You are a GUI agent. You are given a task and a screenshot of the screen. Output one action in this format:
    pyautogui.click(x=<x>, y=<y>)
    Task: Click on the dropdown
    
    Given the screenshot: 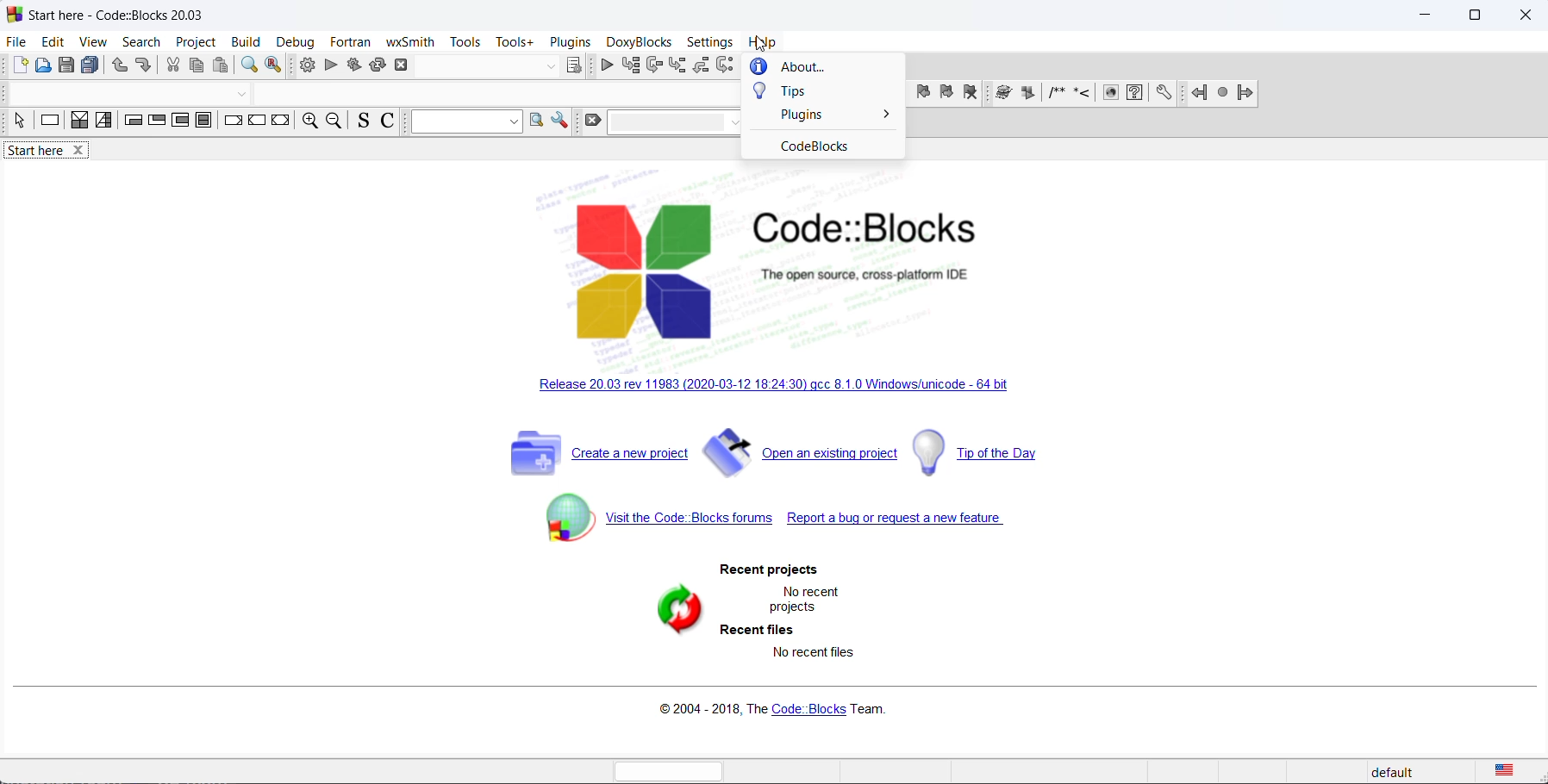 What is the action you would take?
    pyautogui.click(x=239, y=95)
    